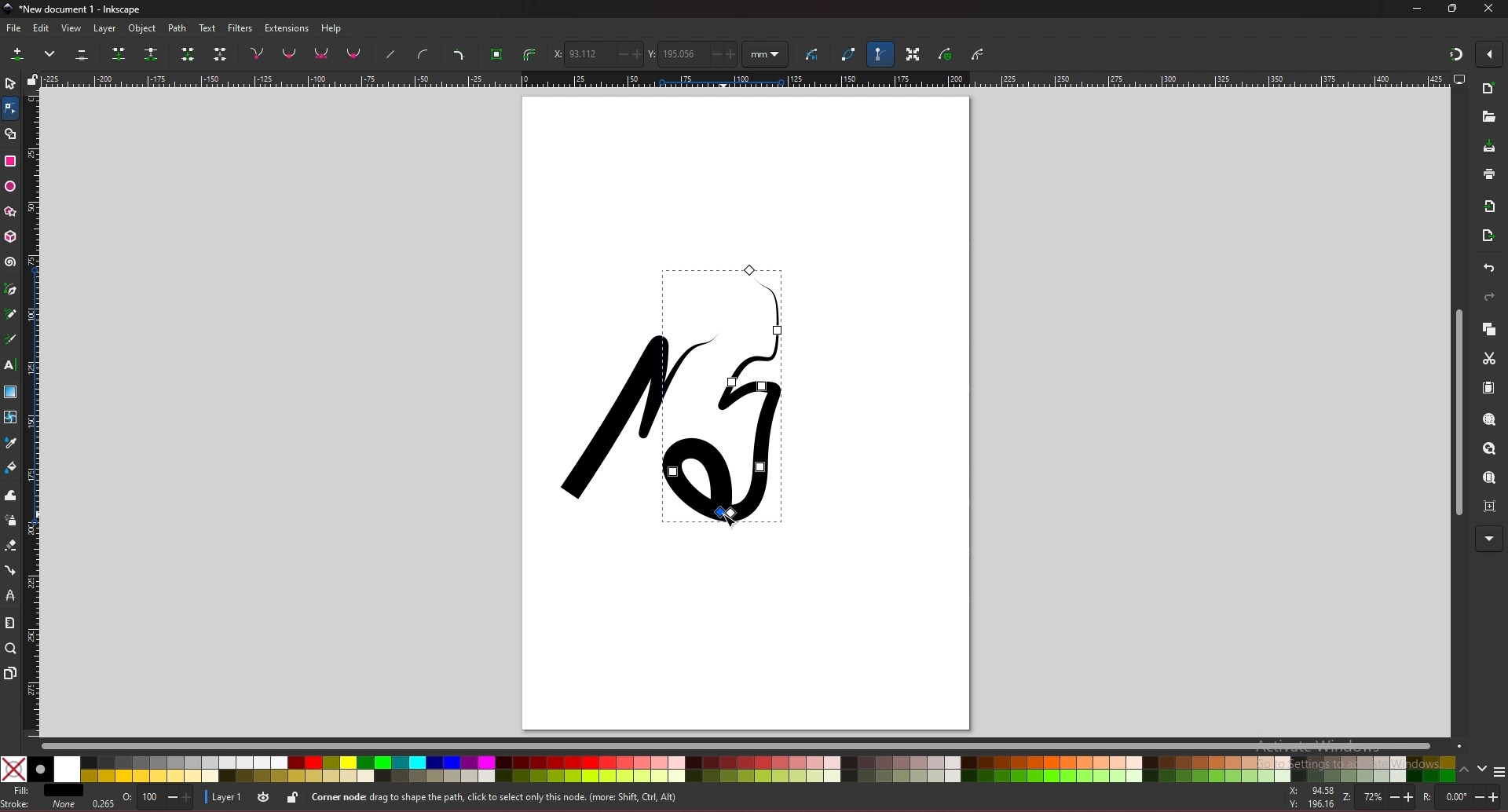 The height and width of the screenshot is (812, 1508). What do you see at coordinates (1488, 90) in the screenshot?
I see `new` at bounding box center [1488, 90].